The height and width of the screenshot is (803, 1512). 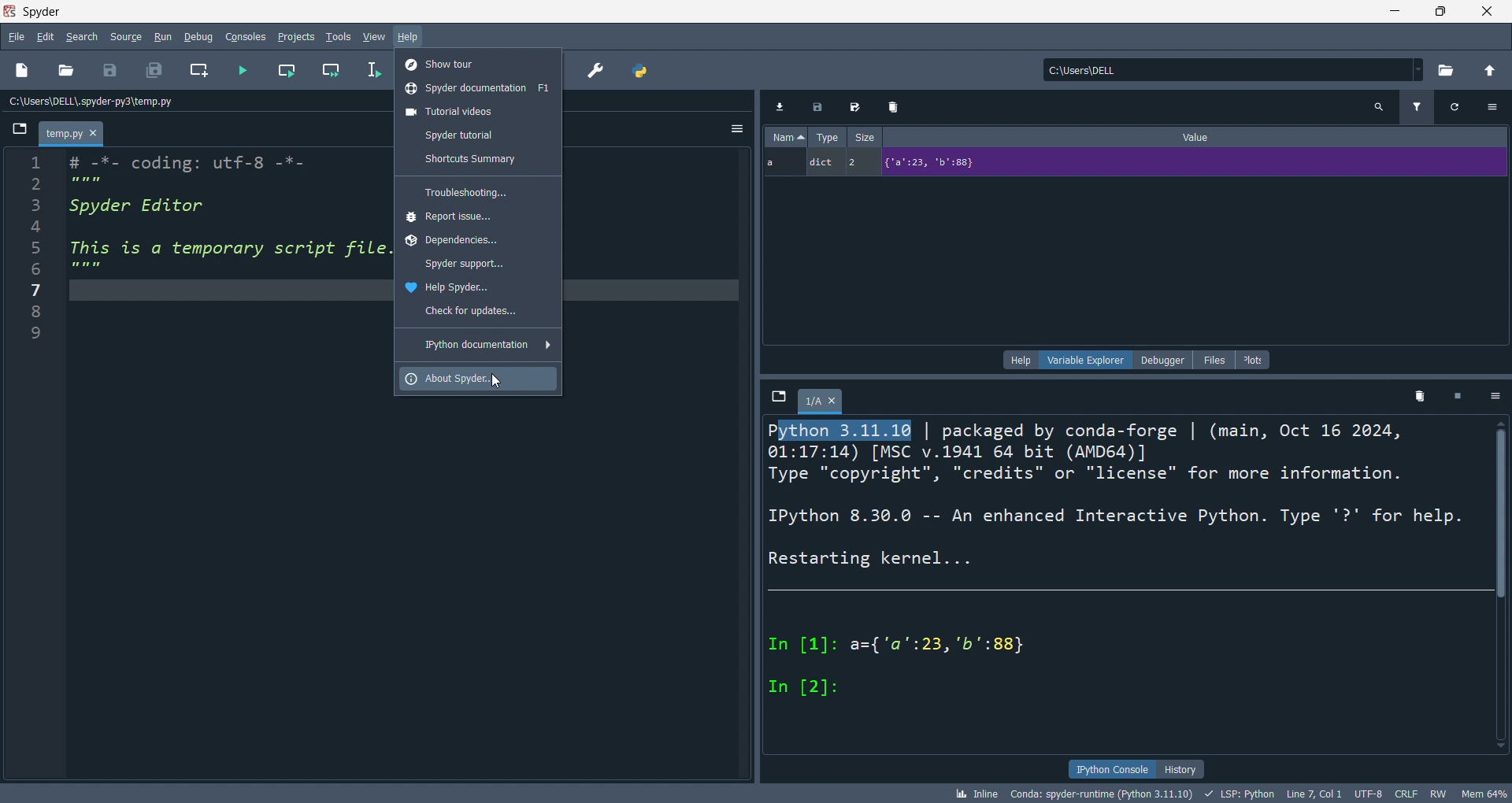 I want to click on spyder documentation, so click(x=479, y=87).